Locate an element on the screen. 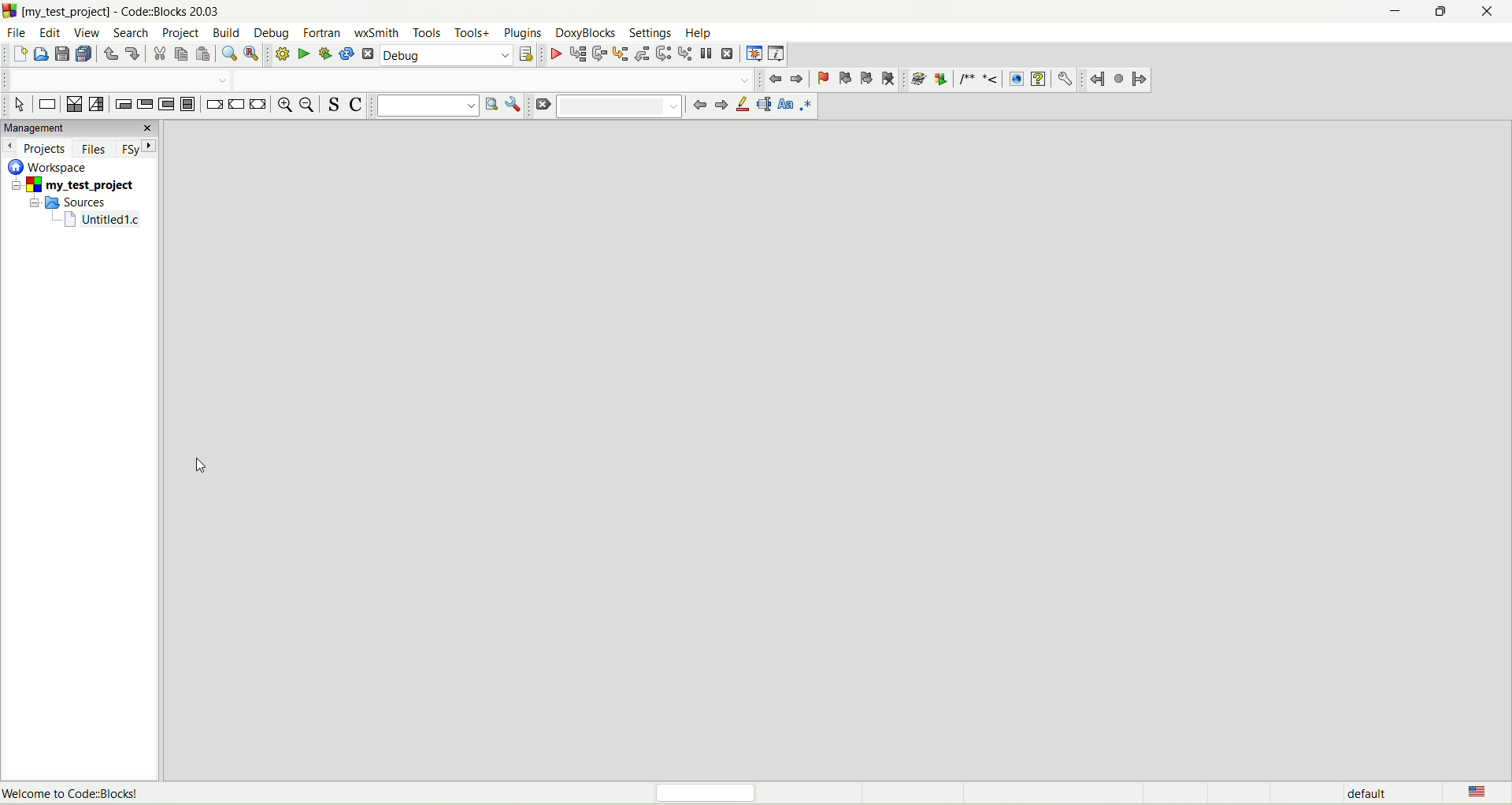  toggle search is located at coordinates (334, 105).